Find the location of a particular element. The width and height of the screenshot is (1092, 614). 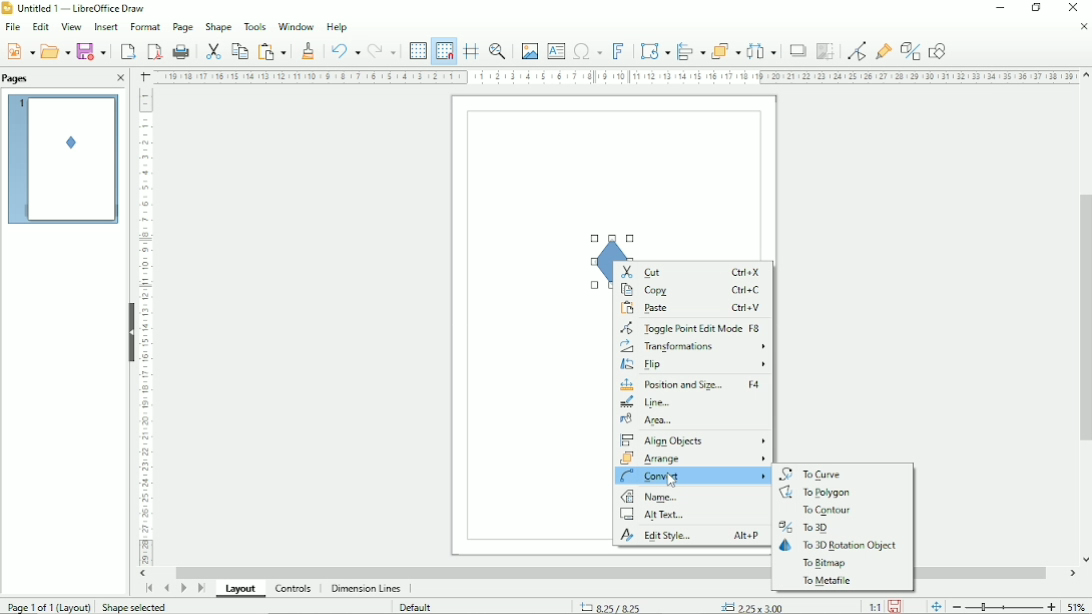

Scroll to next page is located at coordinates (184, 589).